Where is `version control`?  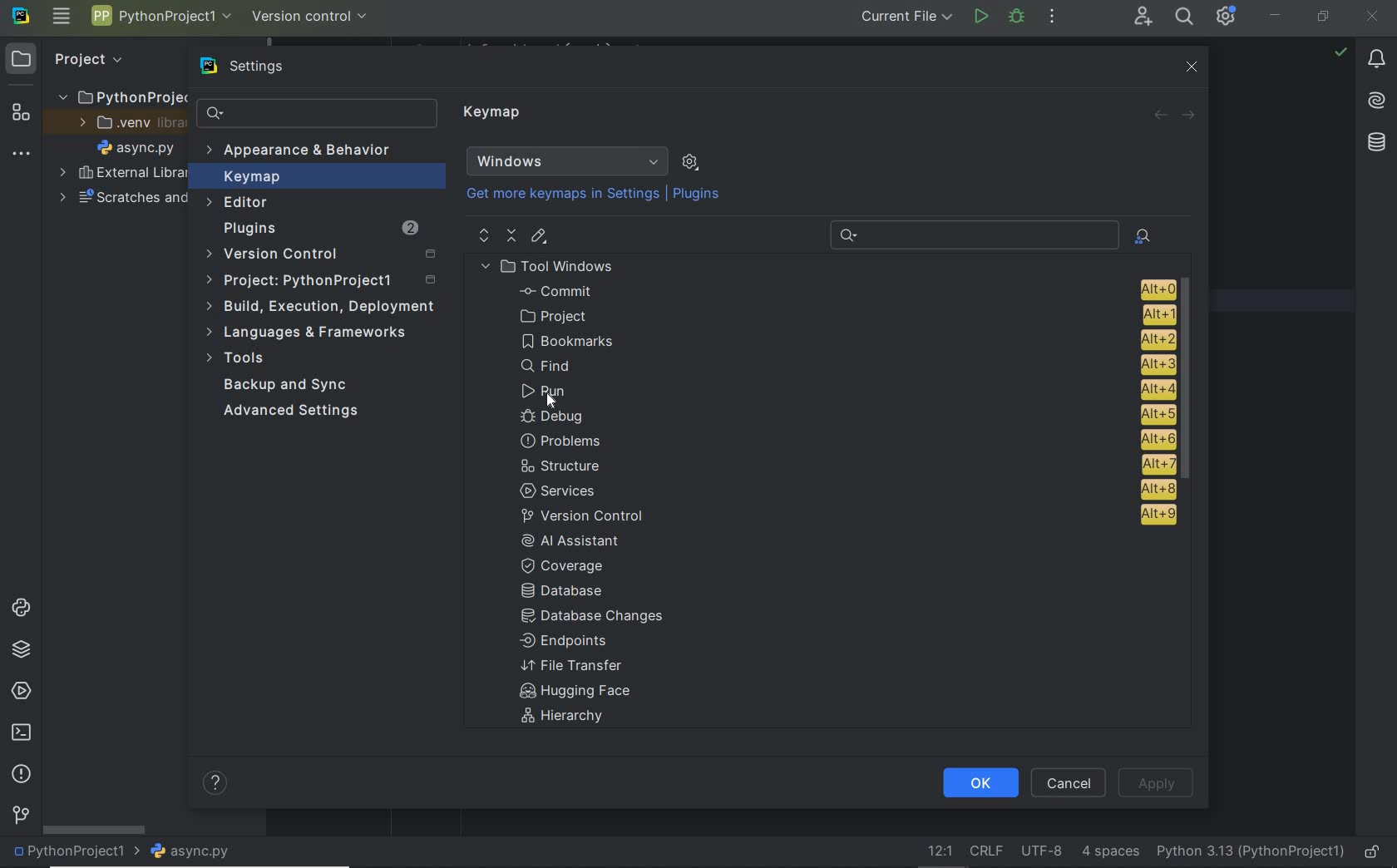
version control is located at coordinates (311, 15).